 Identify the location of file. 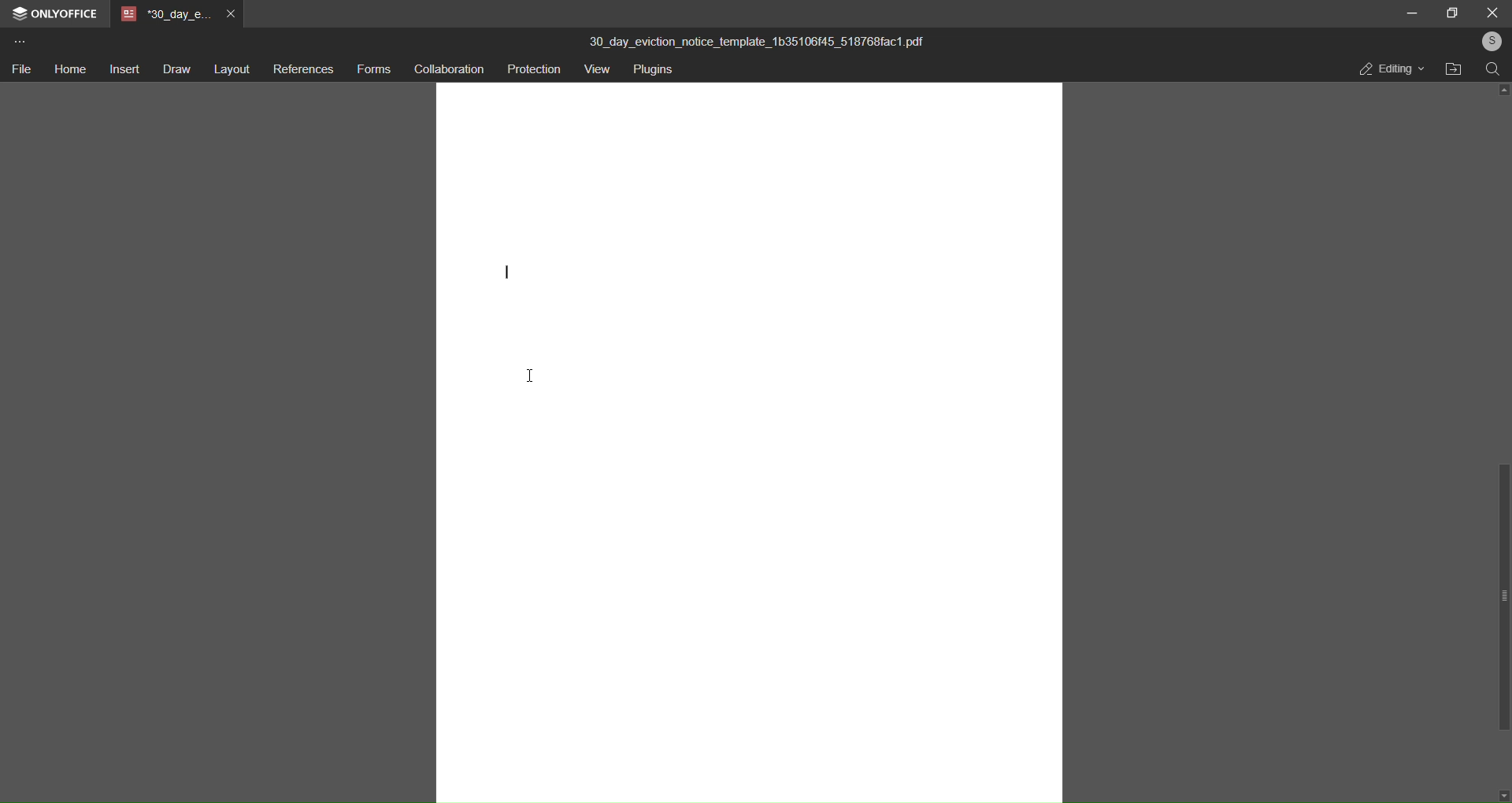
(21, 68).